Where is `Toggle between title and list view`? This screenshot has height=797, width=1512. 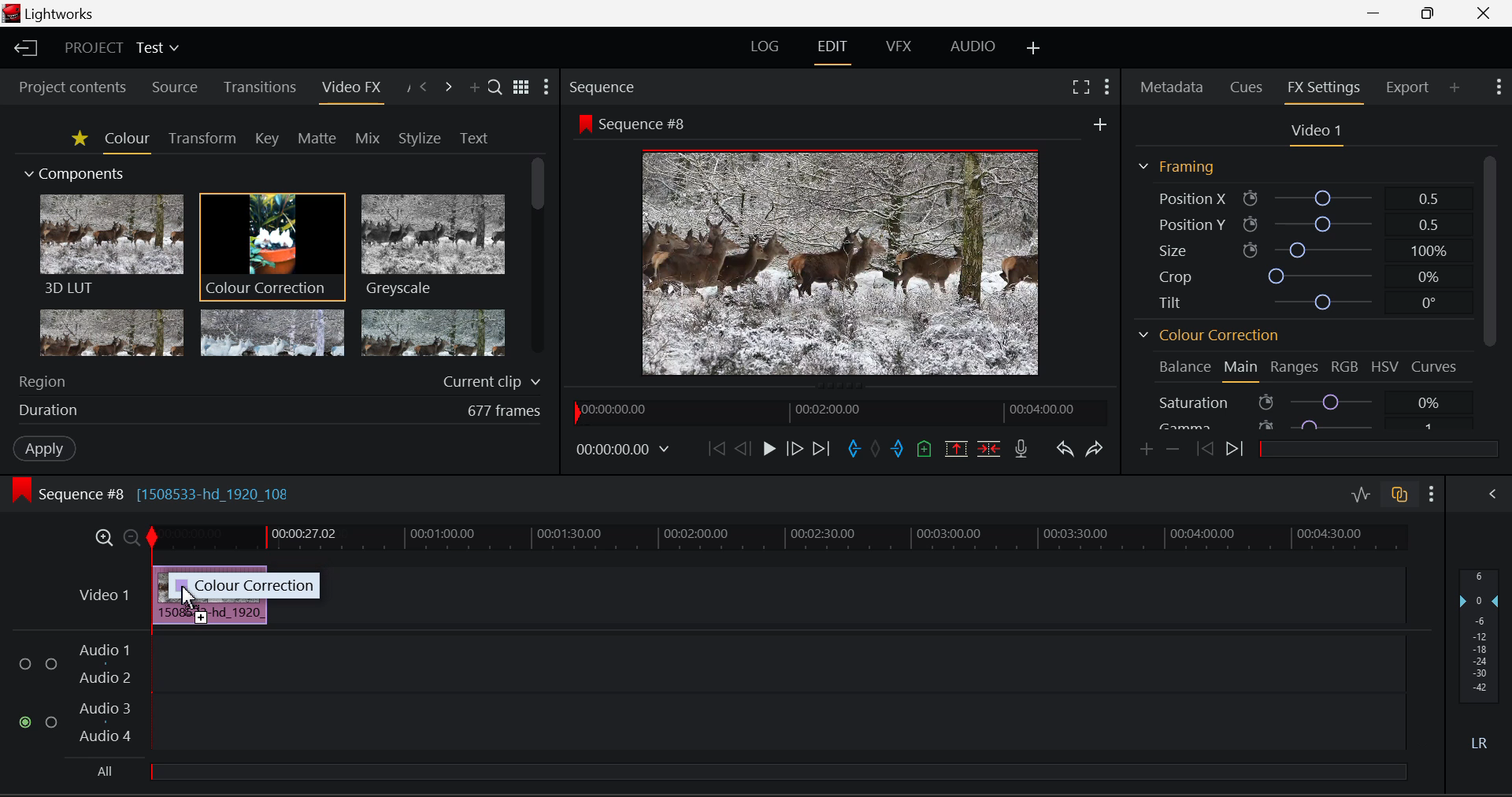
Toggle between title and list view is located at coordinates (521, 85).